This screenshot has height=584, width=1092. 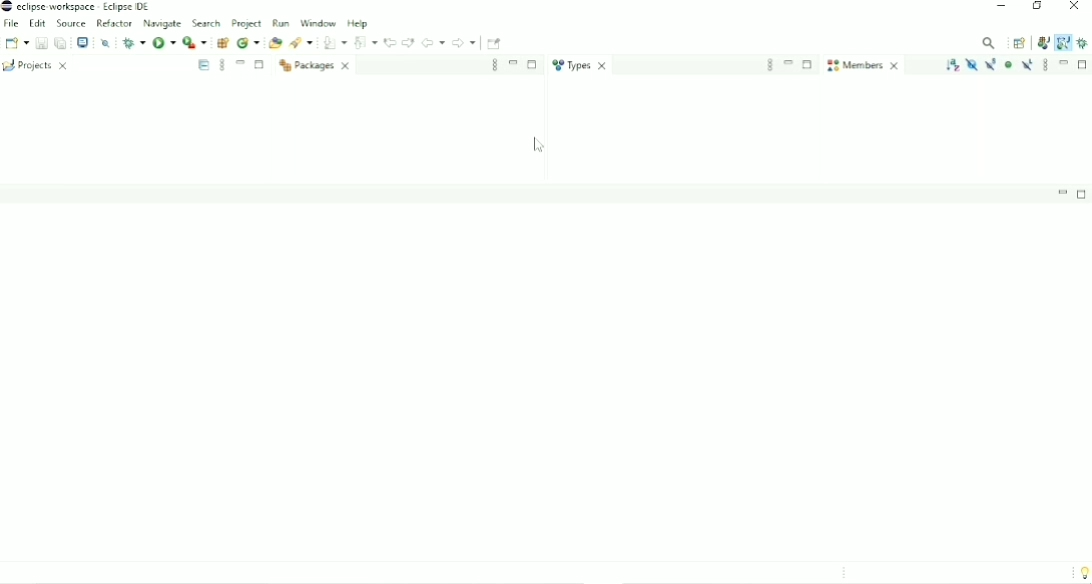 I want to click on Collapse All, so click(x=204, y=65).